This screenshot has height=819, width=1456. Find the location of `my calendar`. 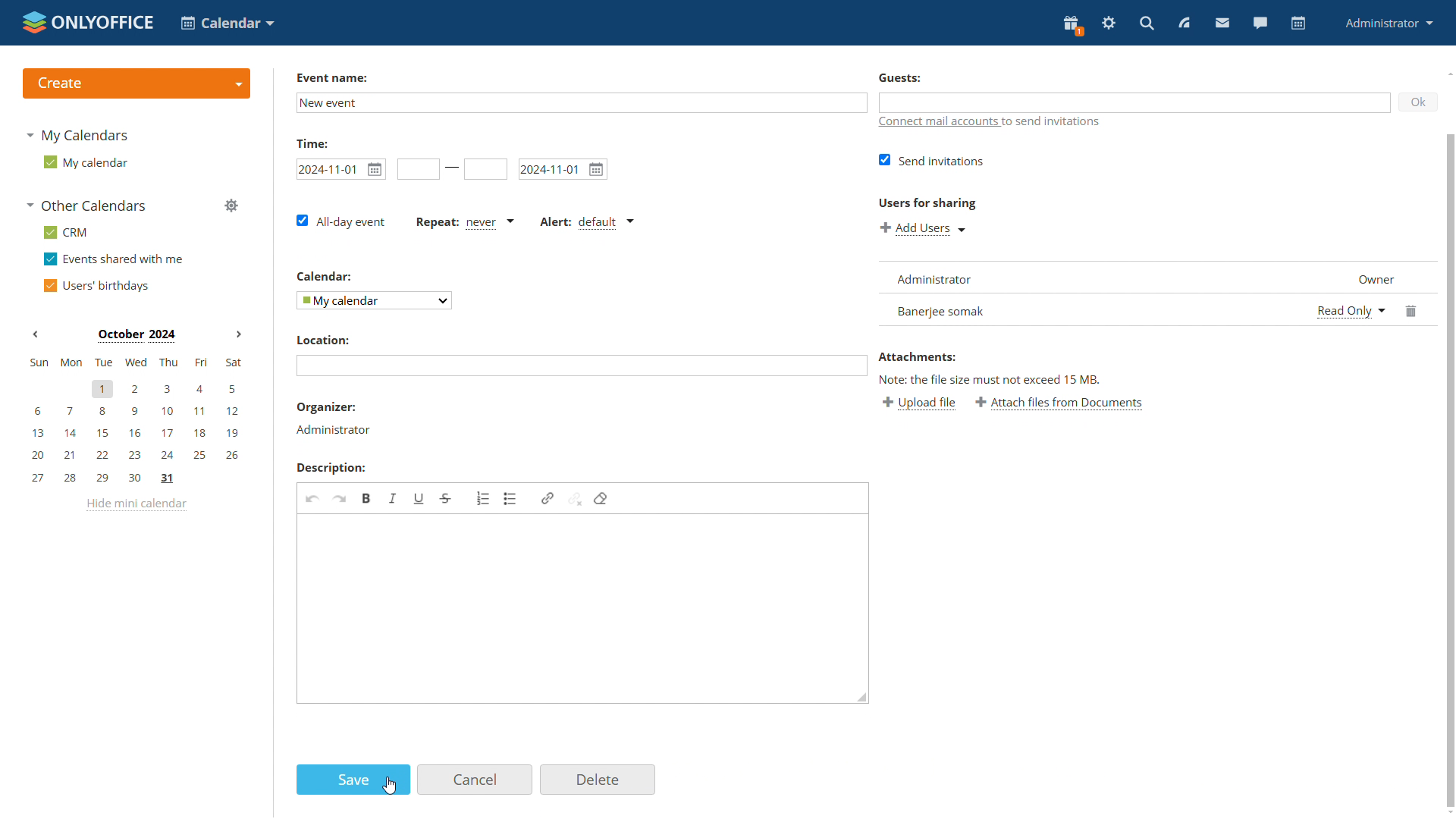

my calendar is located at coordinates (86, 163).